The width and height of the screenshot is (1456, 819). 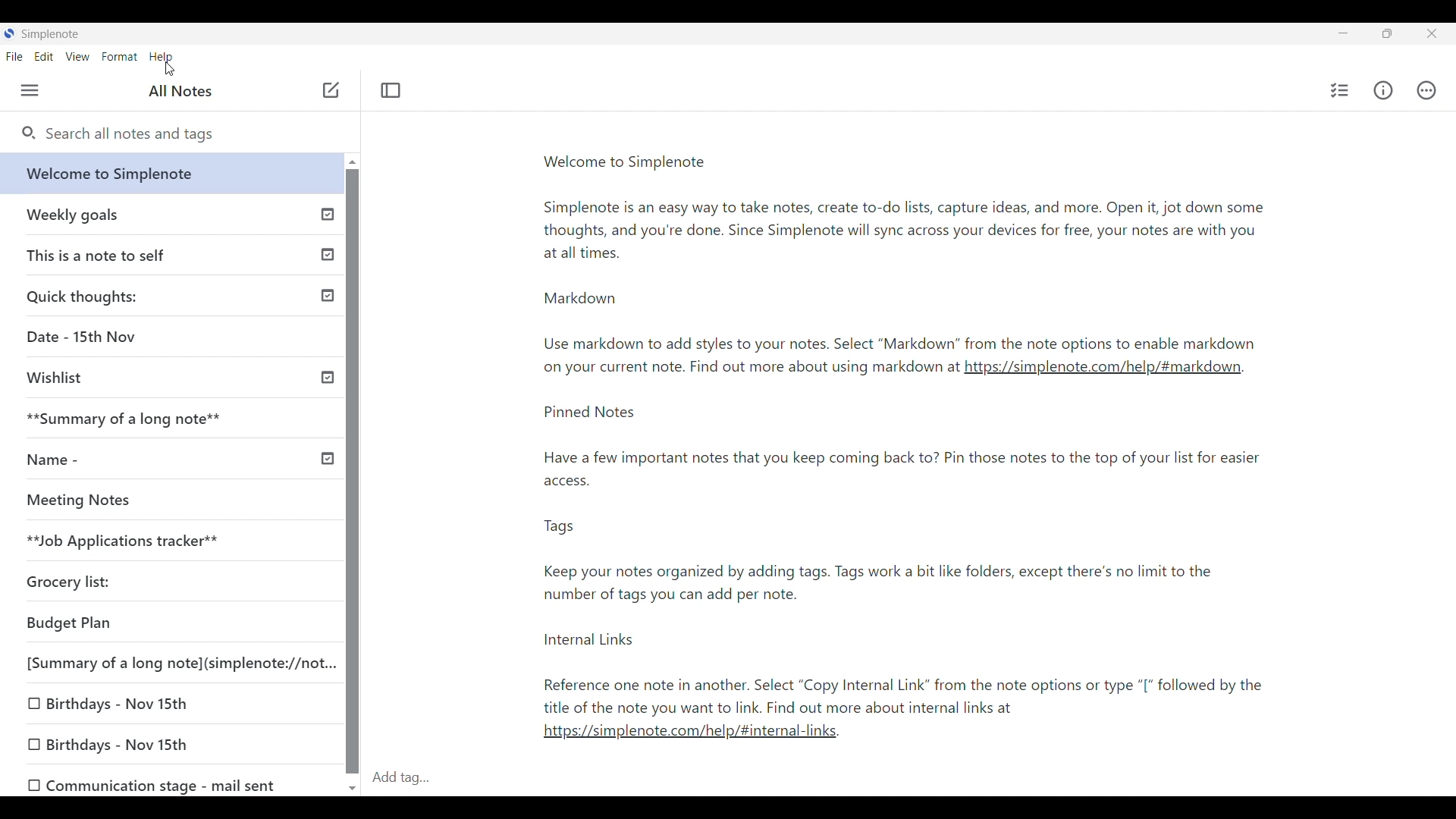 What do you see at coordinates (1106, 369) in the screenshot?
I see `https://simplenote.com/help/#markdown` at bounding box center [1106, 369].